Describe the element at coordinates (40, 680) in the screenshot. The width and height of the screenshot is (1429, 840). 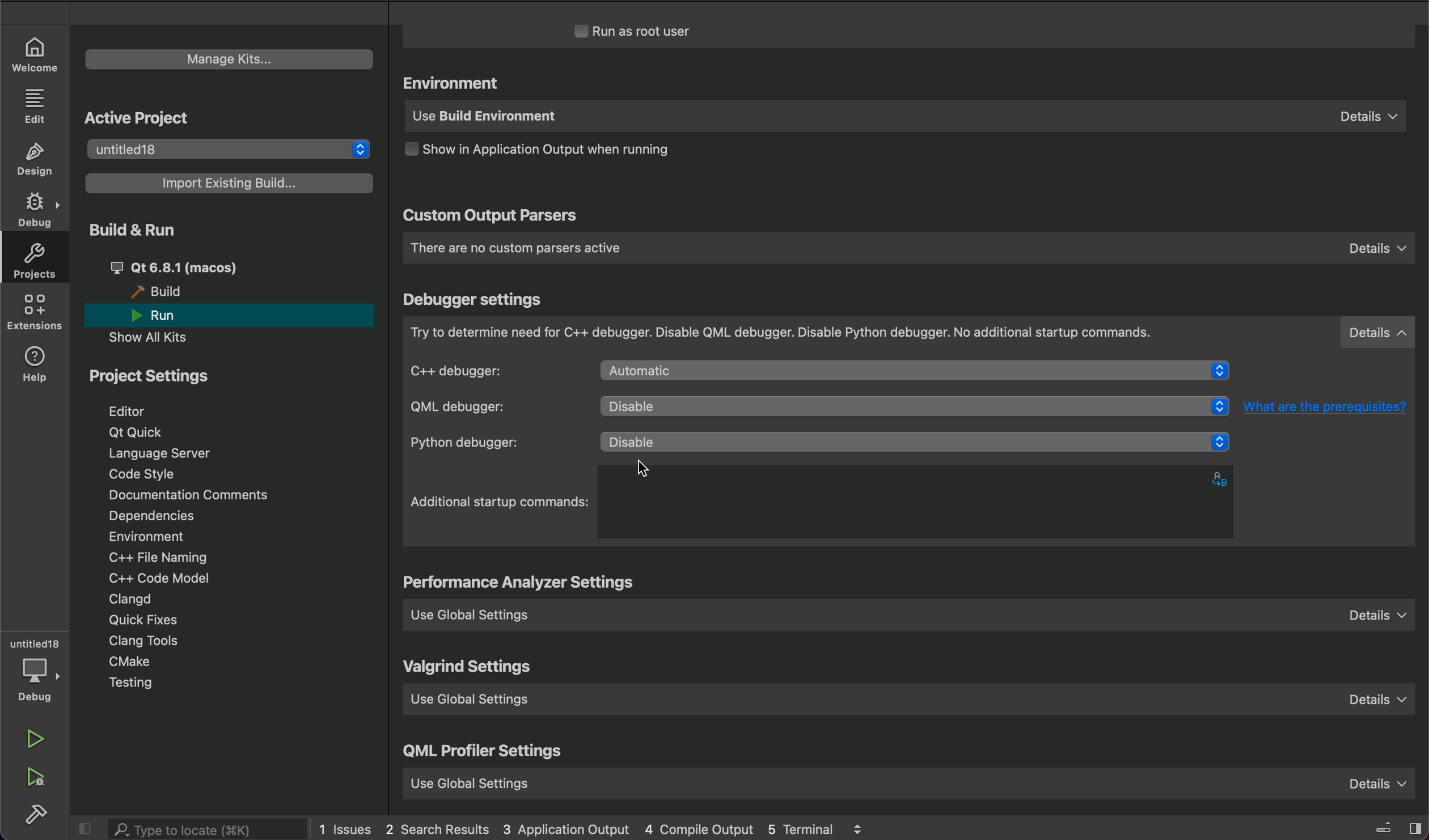
I see `debug` at that location.